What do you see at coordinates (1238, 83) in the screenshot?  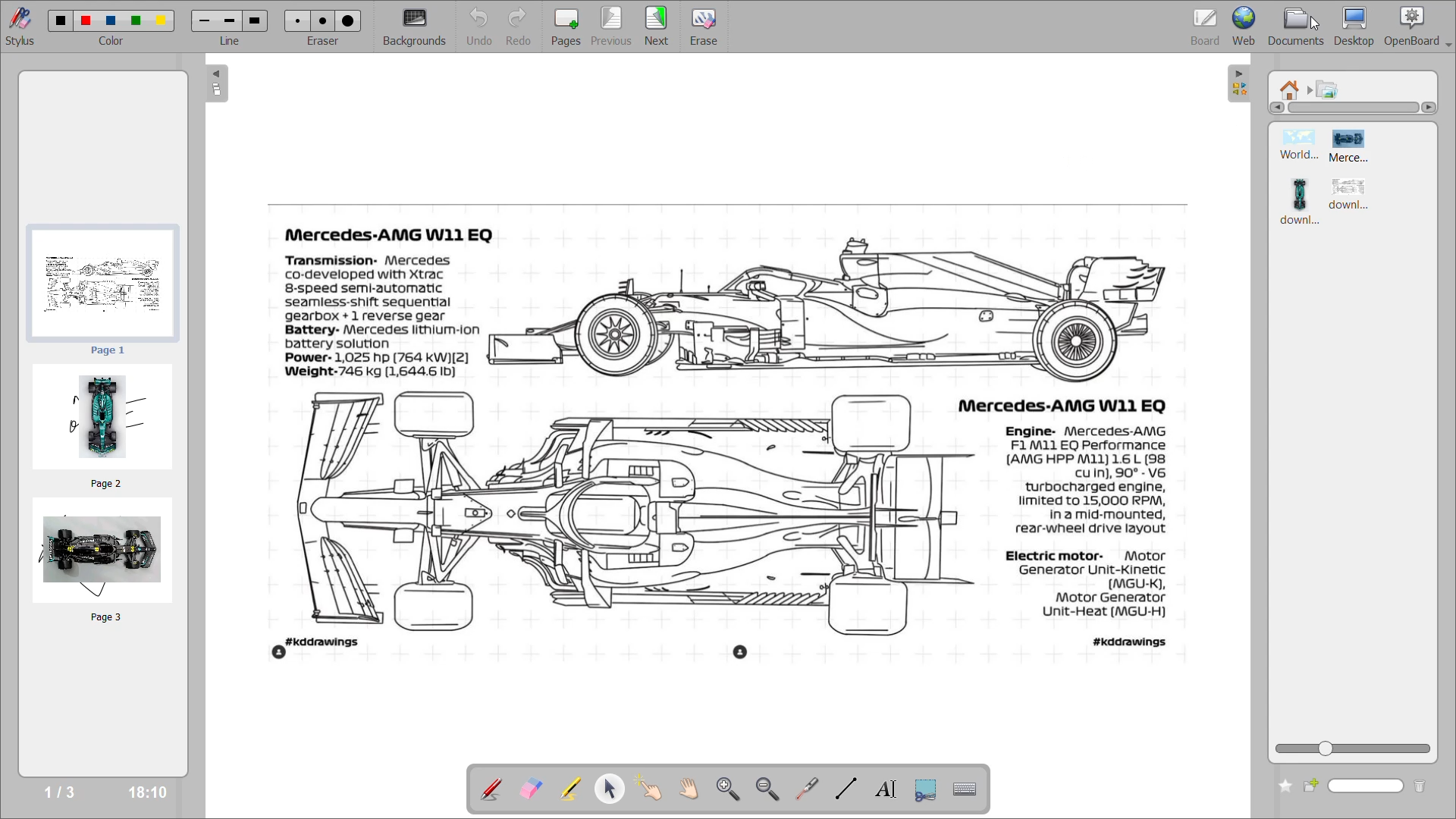 I see `collapse` at bounding box center [1238, 83].